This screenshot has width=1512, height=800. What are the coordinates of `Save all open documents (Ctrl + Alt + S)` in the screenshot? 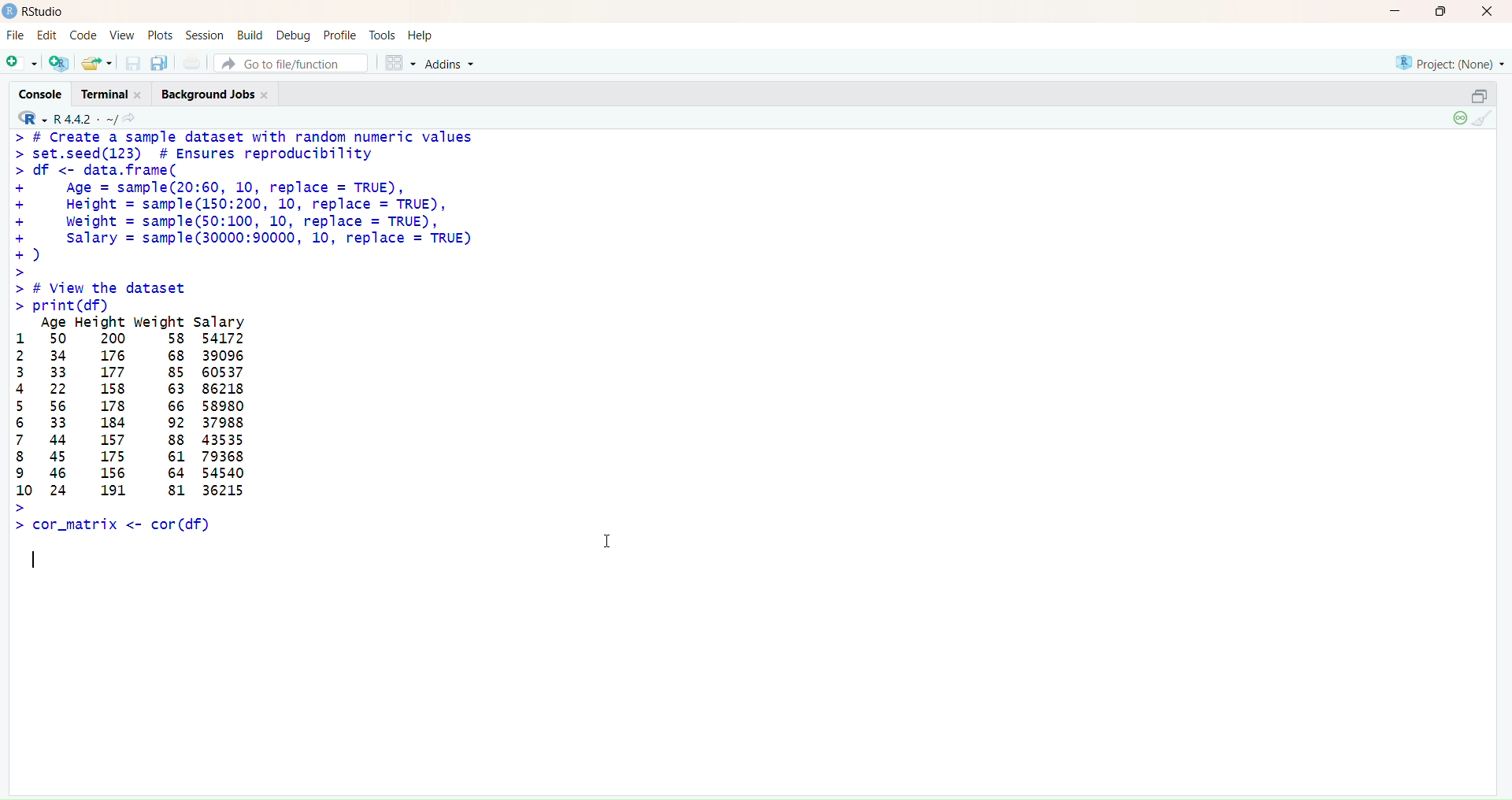 It's located at (160, 61).